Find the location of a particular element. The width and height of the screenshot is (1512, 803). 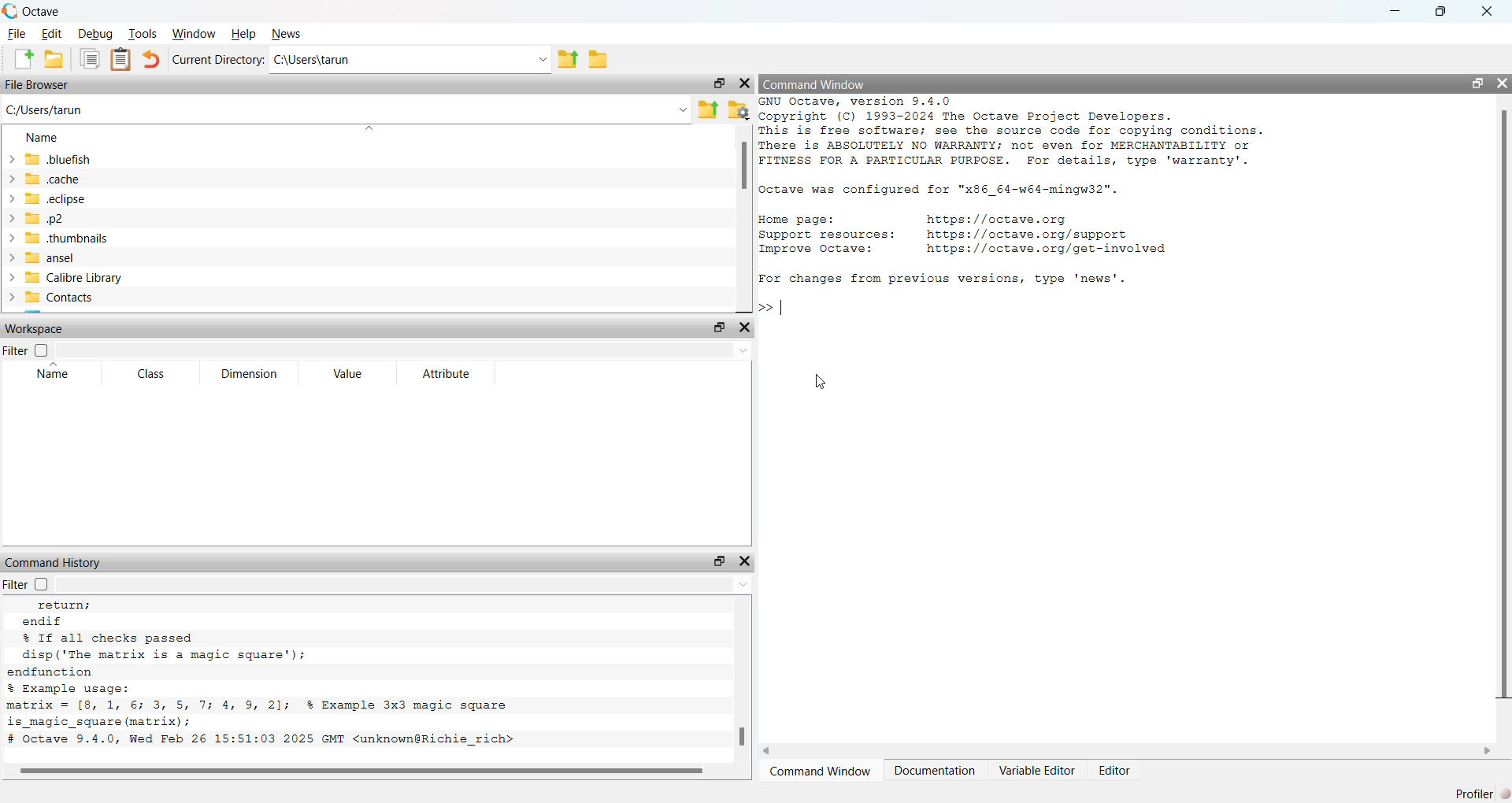

ansel is located at coordinates (39, 258).